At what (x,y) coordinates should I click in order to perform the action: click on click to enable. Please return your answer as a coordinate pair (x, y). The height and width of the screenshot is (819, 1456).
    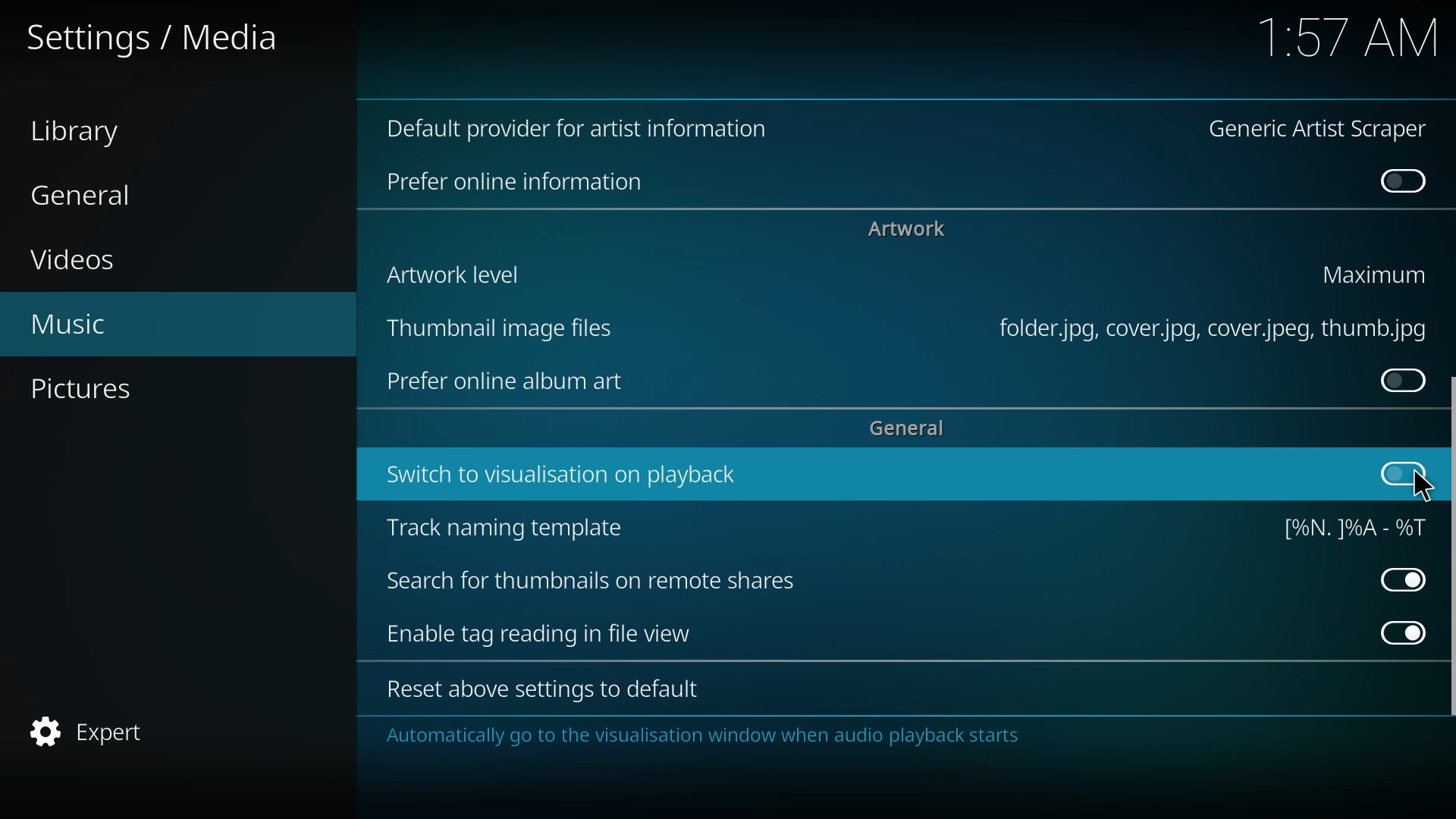
    Looking at the image, I should click on (1404, 475).